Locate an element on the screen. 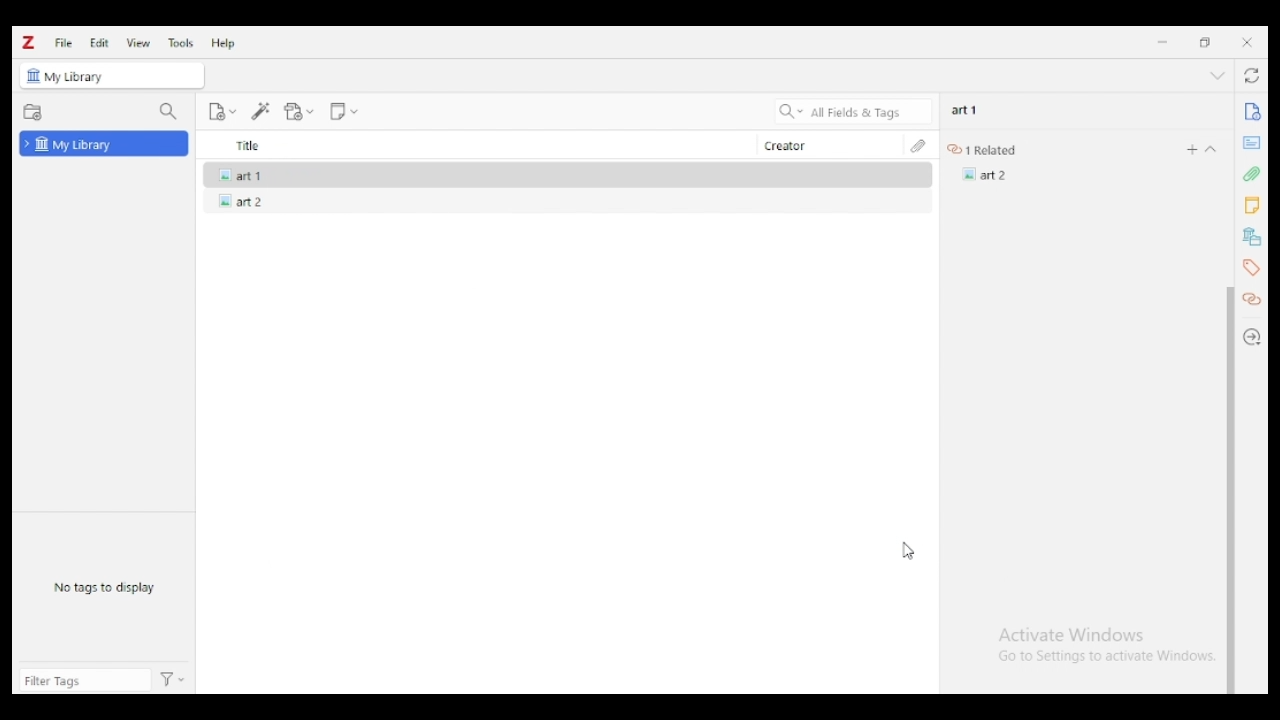 Image resolution: width=1280 pixels, height=720 pixels. attachments is located at coordinates (1251, 173).